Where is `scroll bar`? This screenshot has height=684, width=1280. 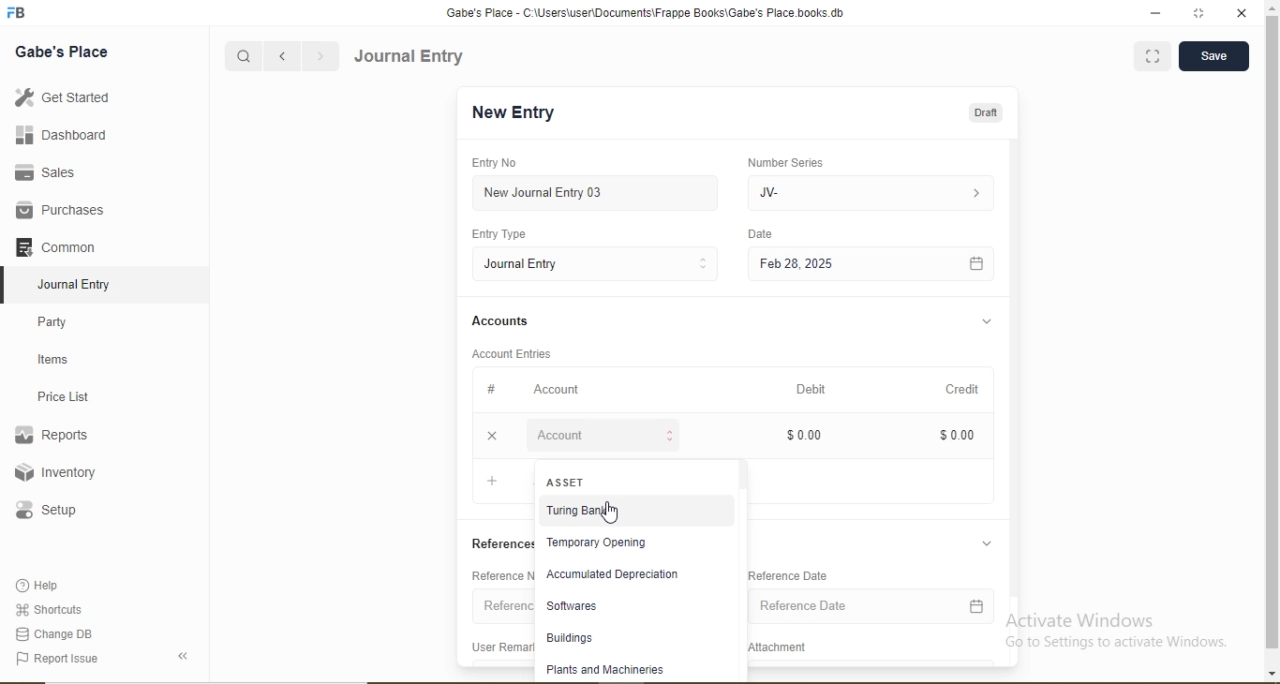 scroll bar is located at coordinates (1271, 334).